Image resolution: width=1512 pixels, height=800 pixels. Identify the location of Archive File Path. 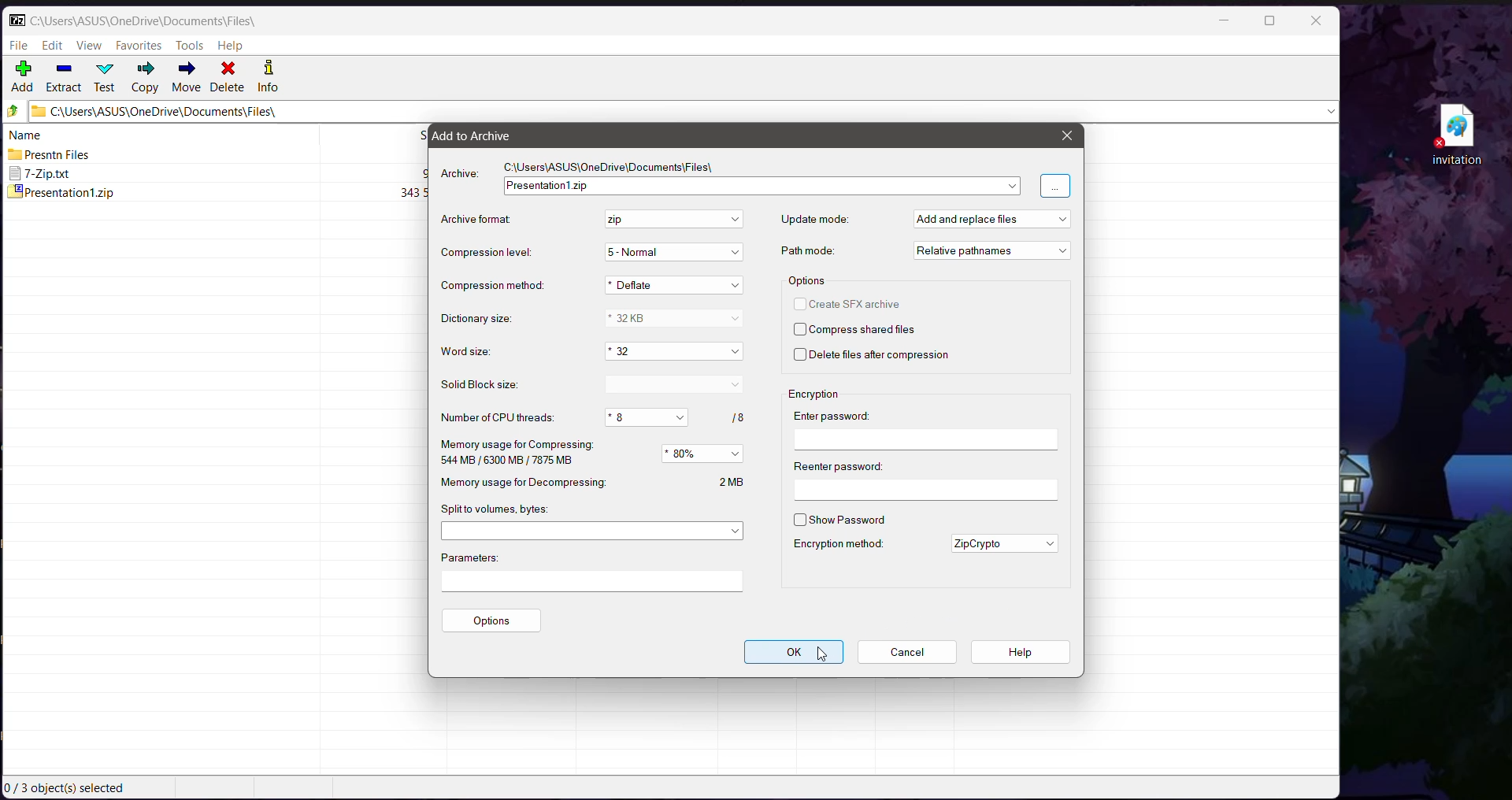
(617, 165).